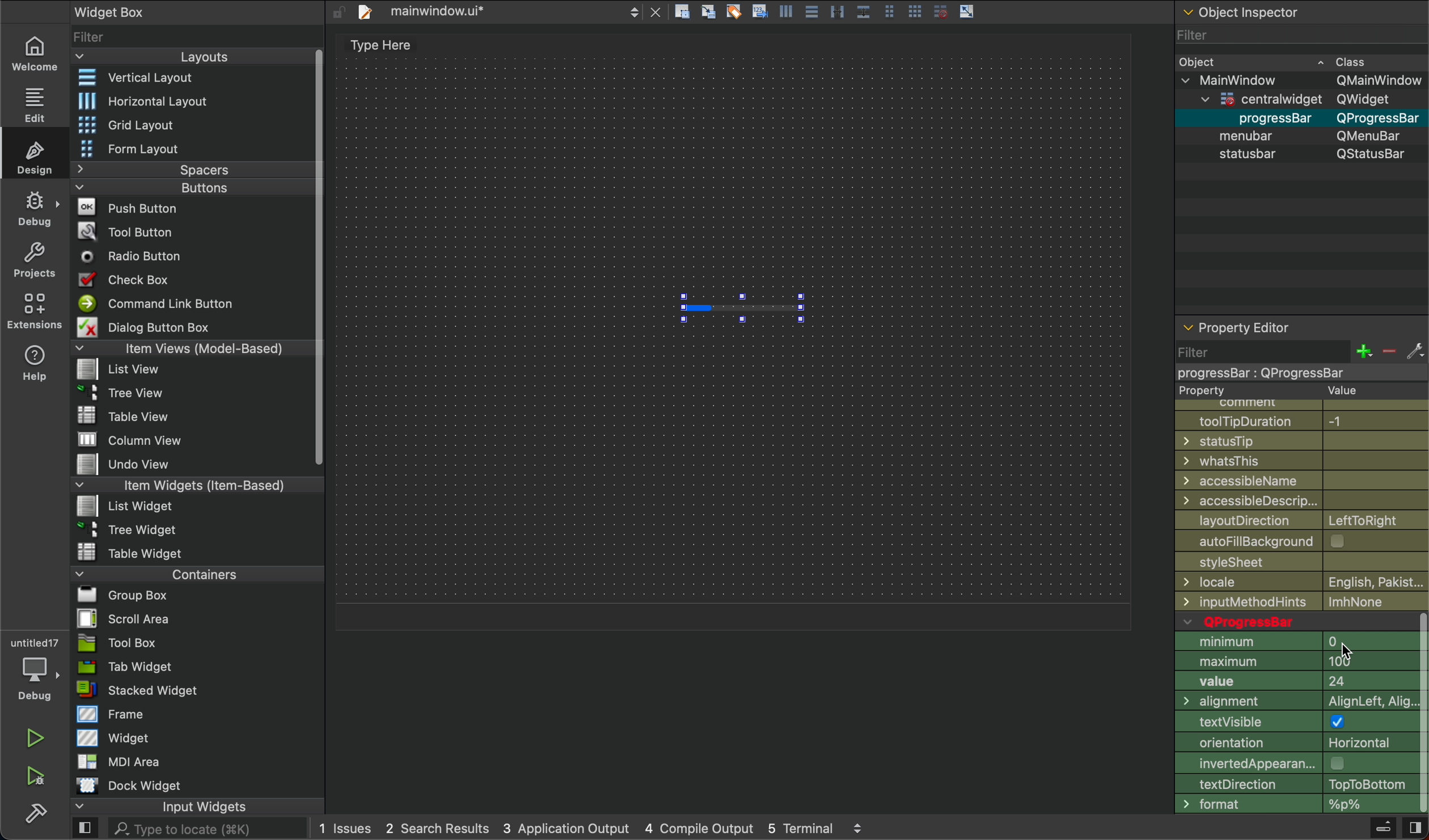 The image size is (1429, 840). I want to click on widget box, so click(143, 11).